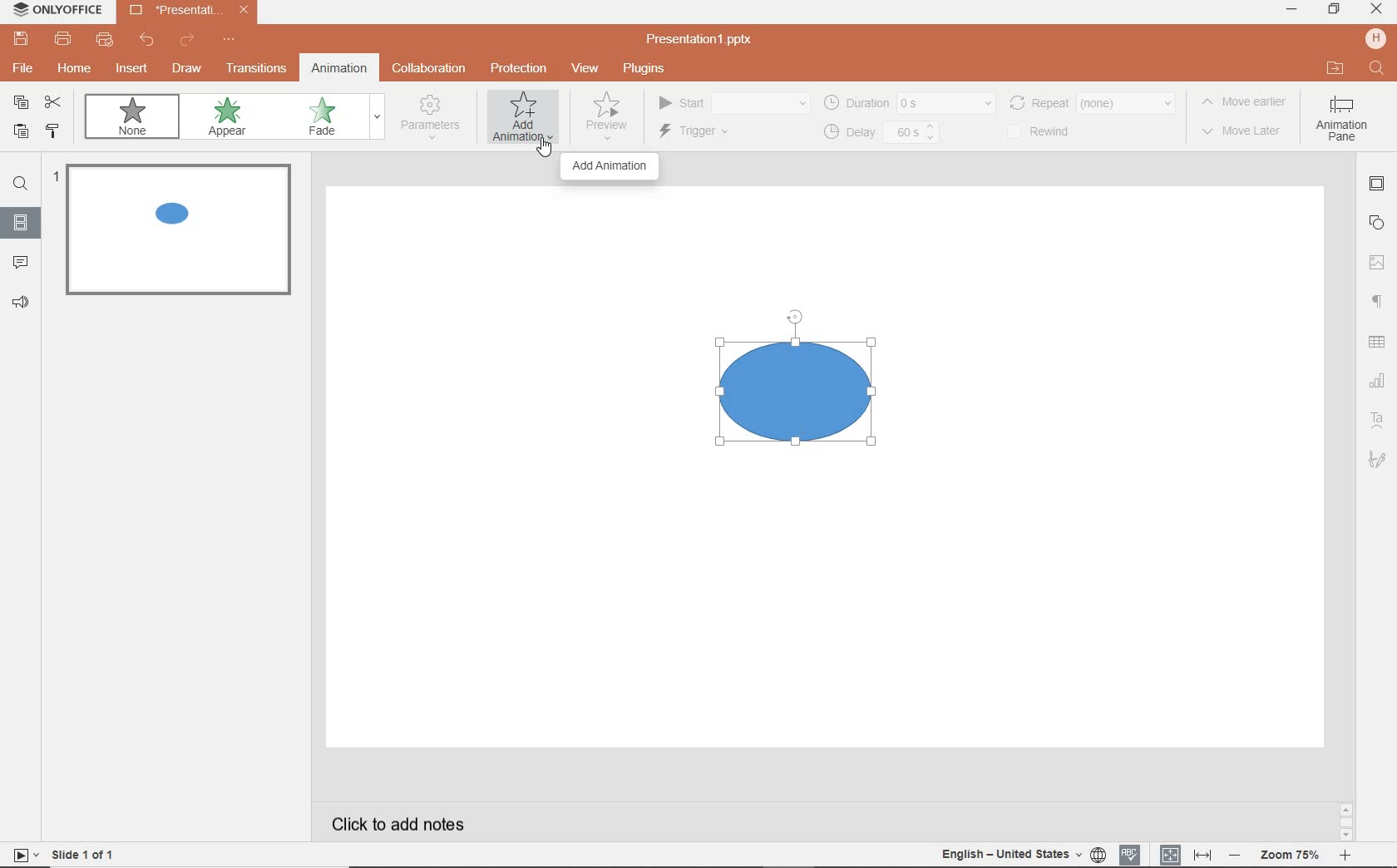  I want to click on file, so click(21, 71).